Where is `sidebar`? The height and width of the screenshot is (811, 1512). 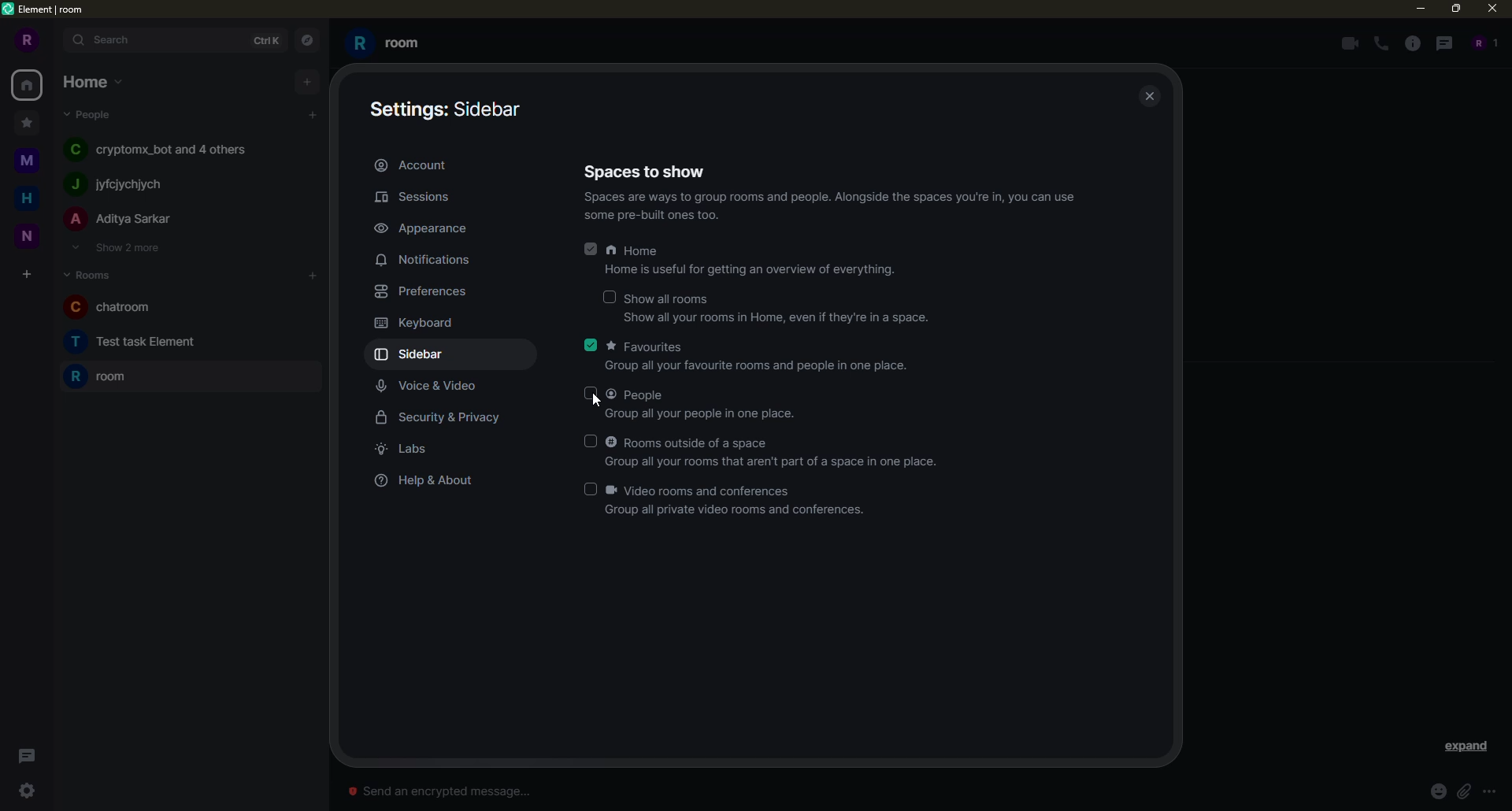
sidebar is located at coordinates (449, 109).